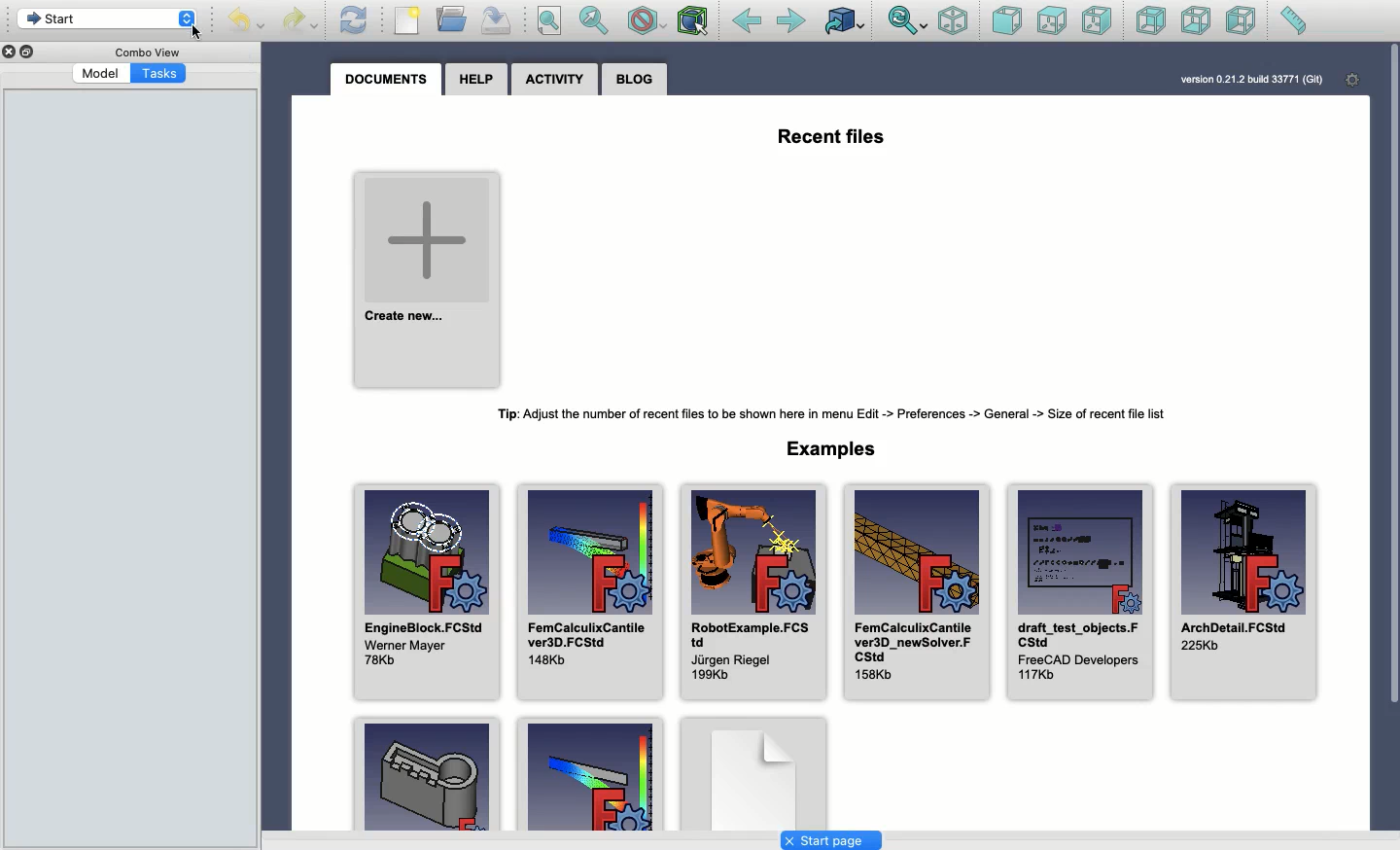 This screenshot has height=850, width=1400. What do you see at coordinates (831, 138) in the screenshot?
I see `Recent files` at bounding box center [831, 138].